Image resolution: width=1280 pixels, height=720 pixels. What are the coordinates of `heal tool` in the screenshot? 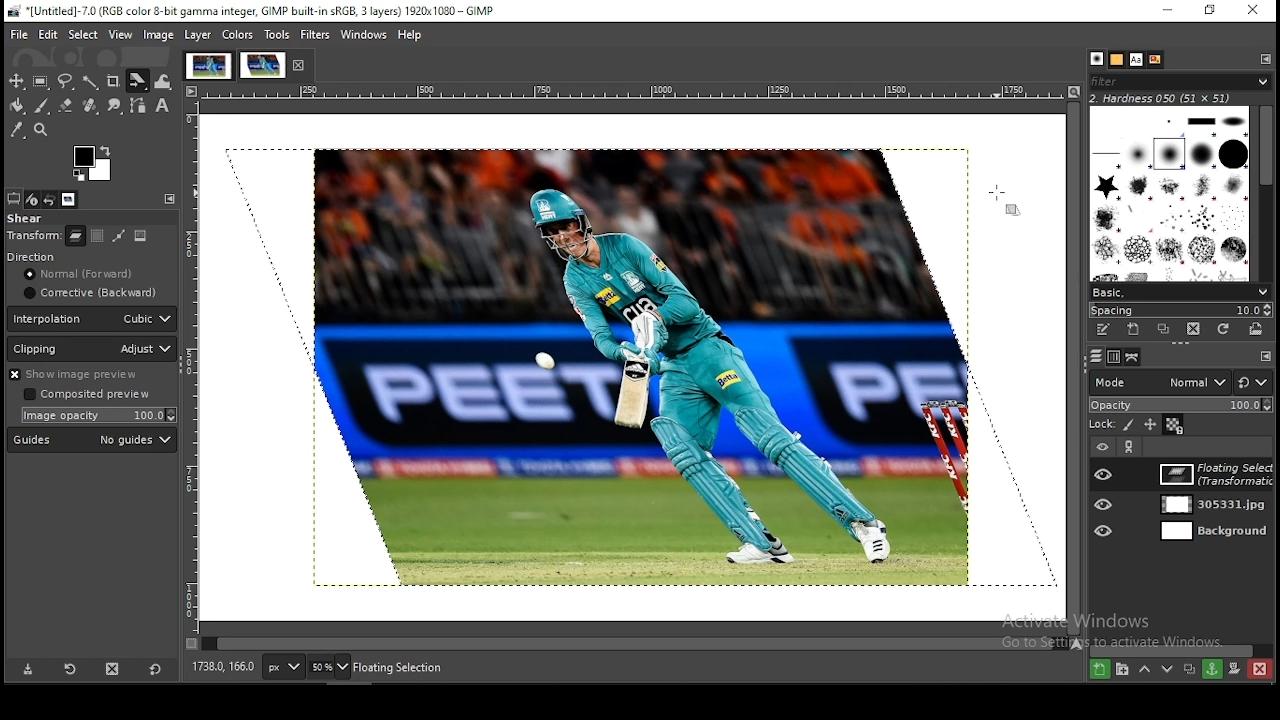 It's located at (91, 106).